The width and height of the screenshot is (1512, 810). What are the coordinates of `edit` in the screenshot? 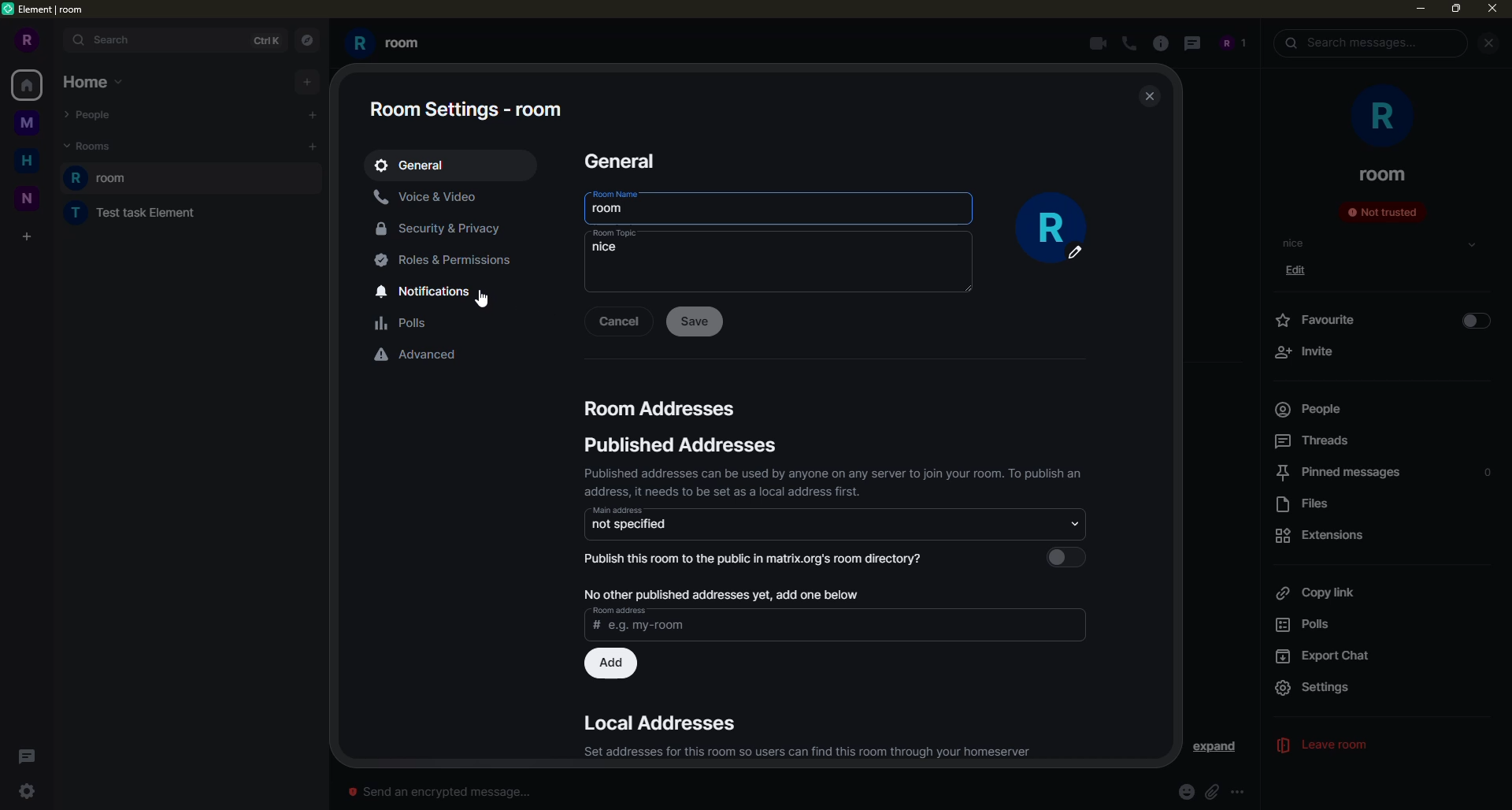 It's located at (1302, 273).